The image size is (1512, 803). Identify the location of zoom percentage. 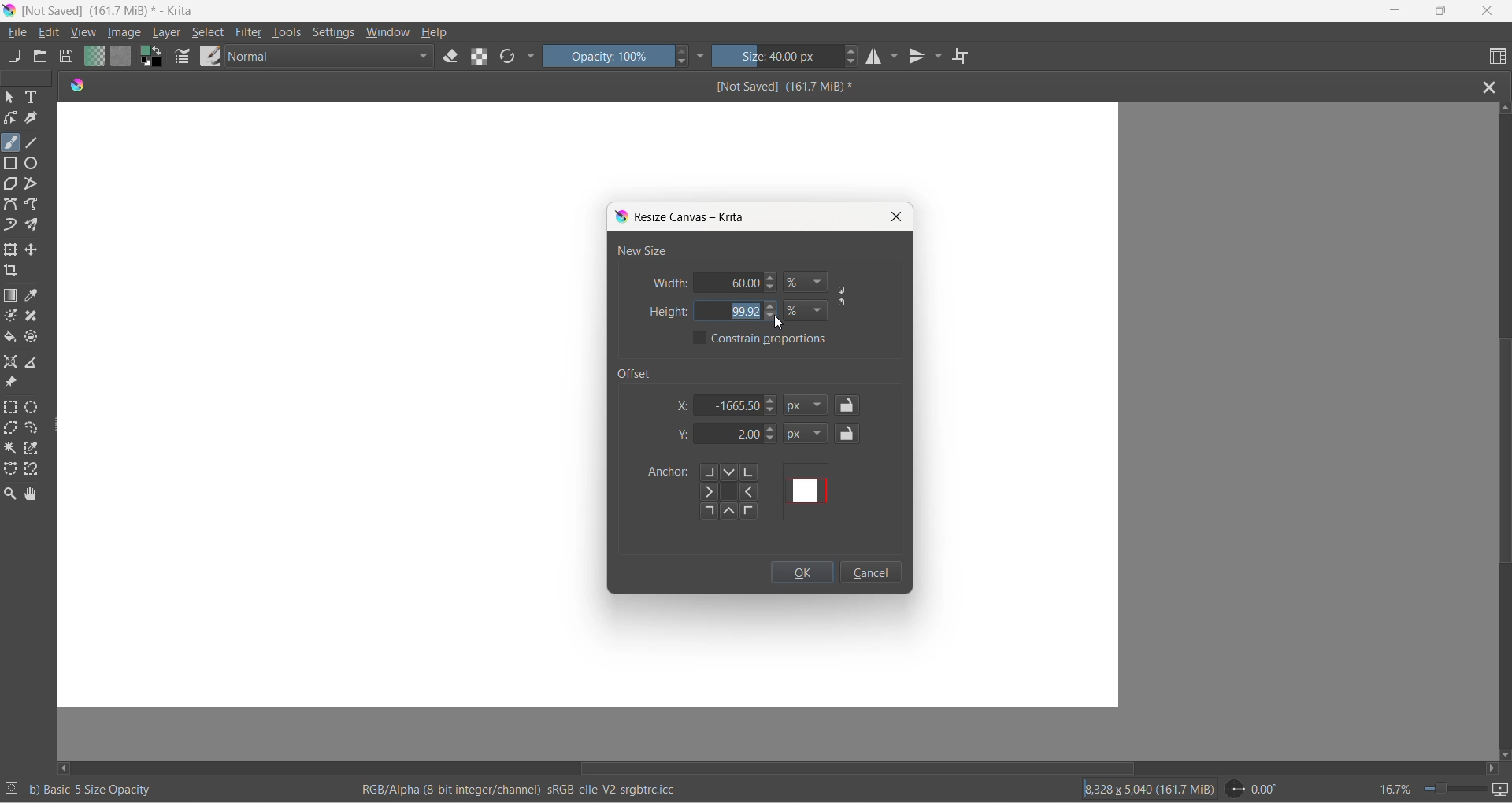
(1394, 787).